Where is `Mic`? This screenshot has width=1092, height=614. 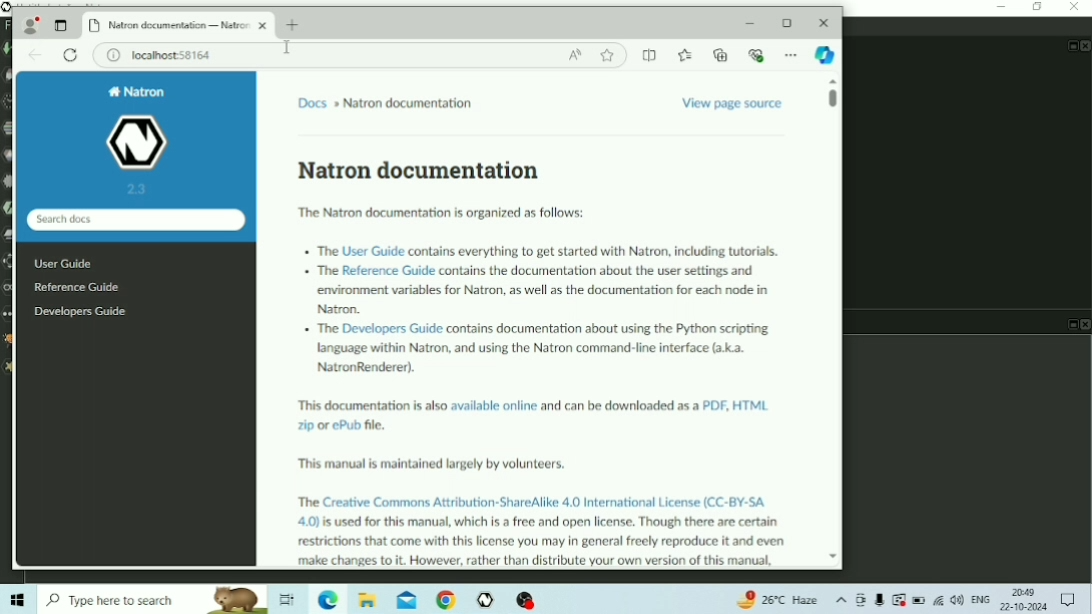 Mic is located at coordinates (880, 600).